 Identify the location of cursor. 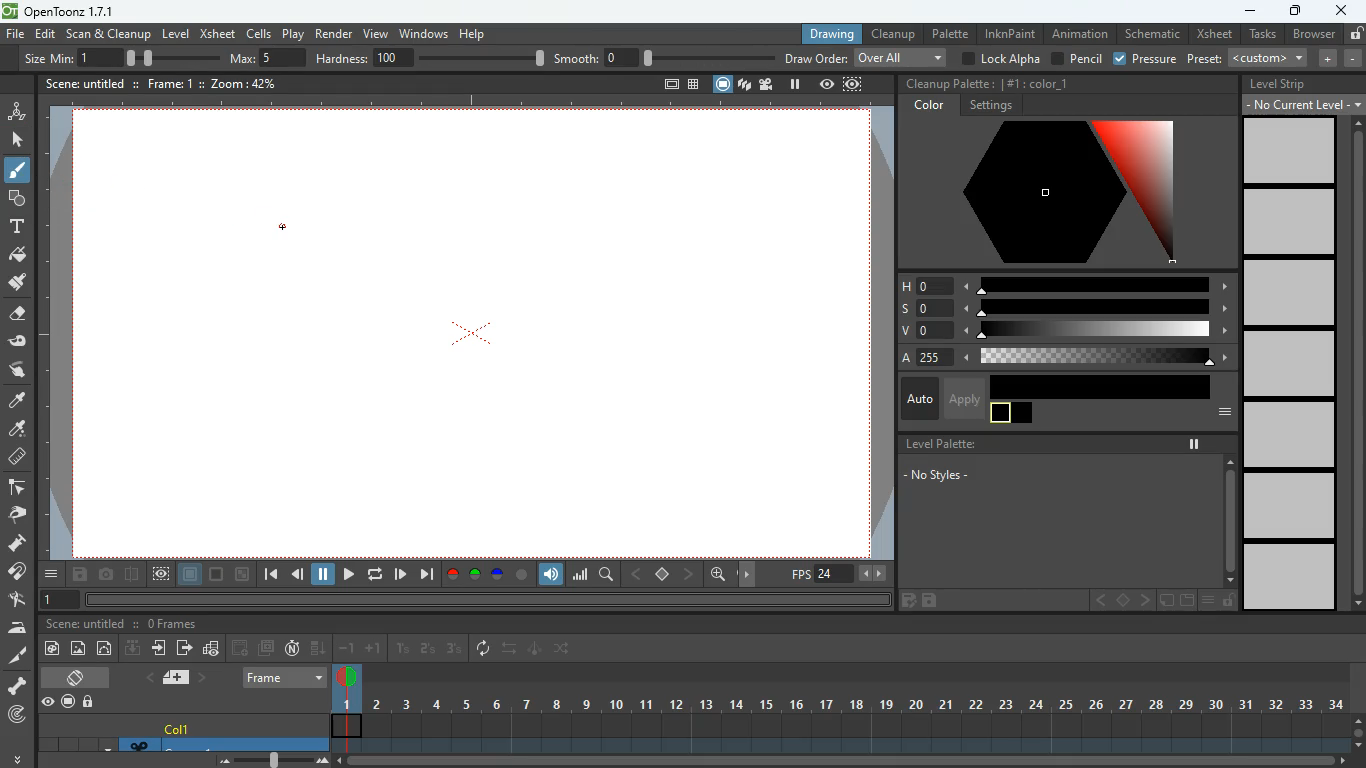
(283, 226).